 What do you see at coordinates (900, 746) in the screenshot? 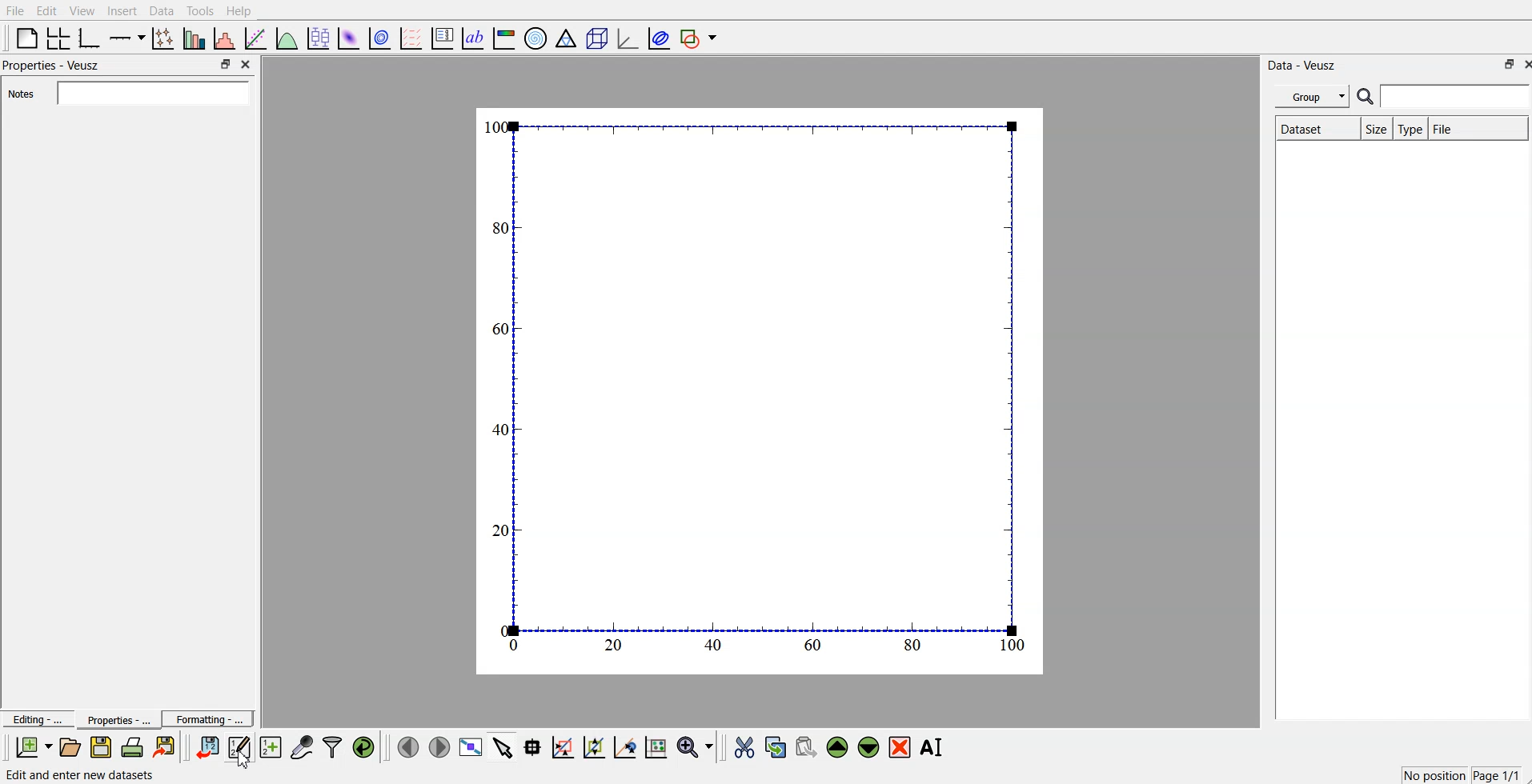
I see `remove widget` at bounding box center [900, 746].